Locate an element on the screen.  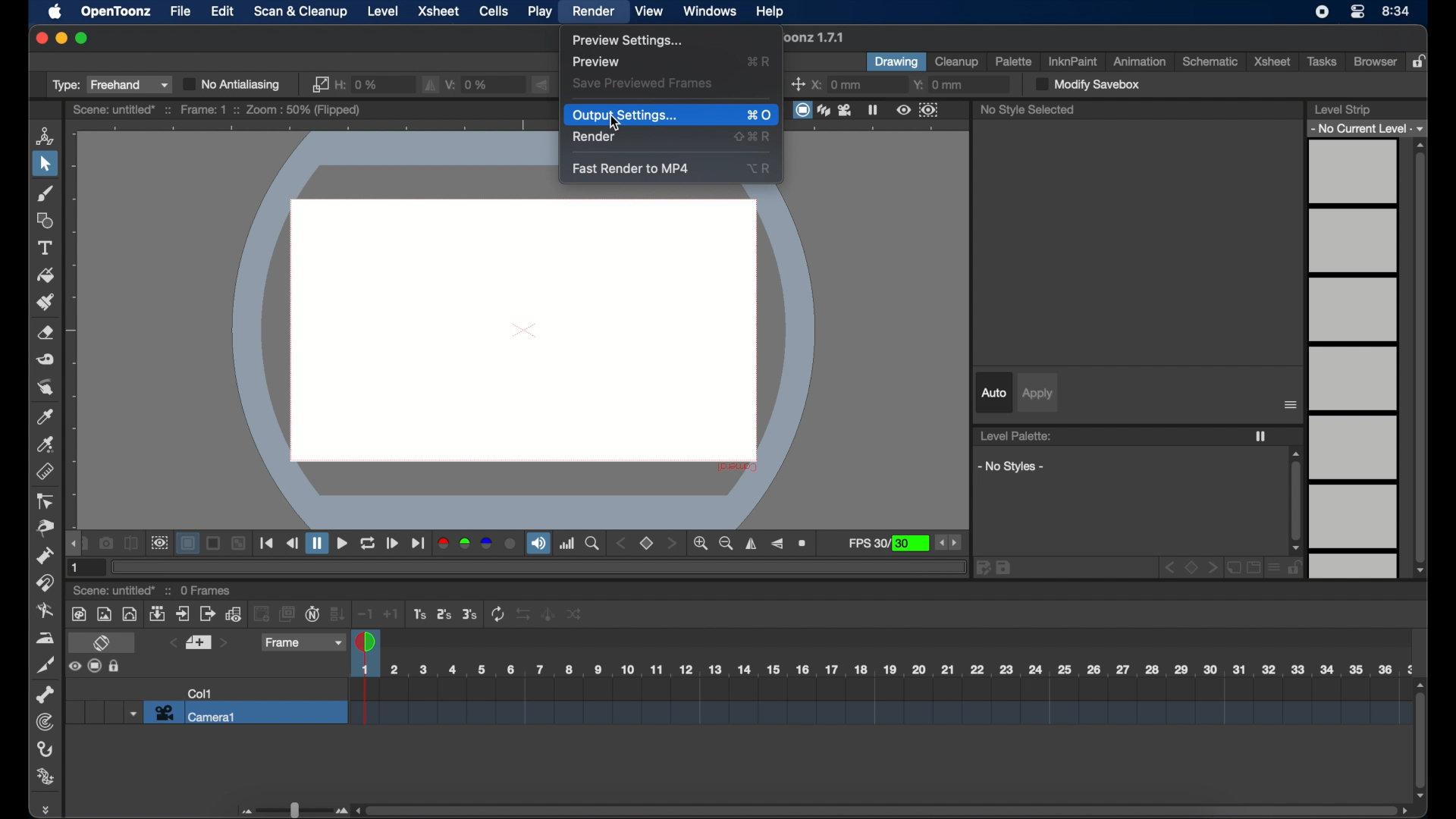
no current level is located at coordinates (1369, 127).